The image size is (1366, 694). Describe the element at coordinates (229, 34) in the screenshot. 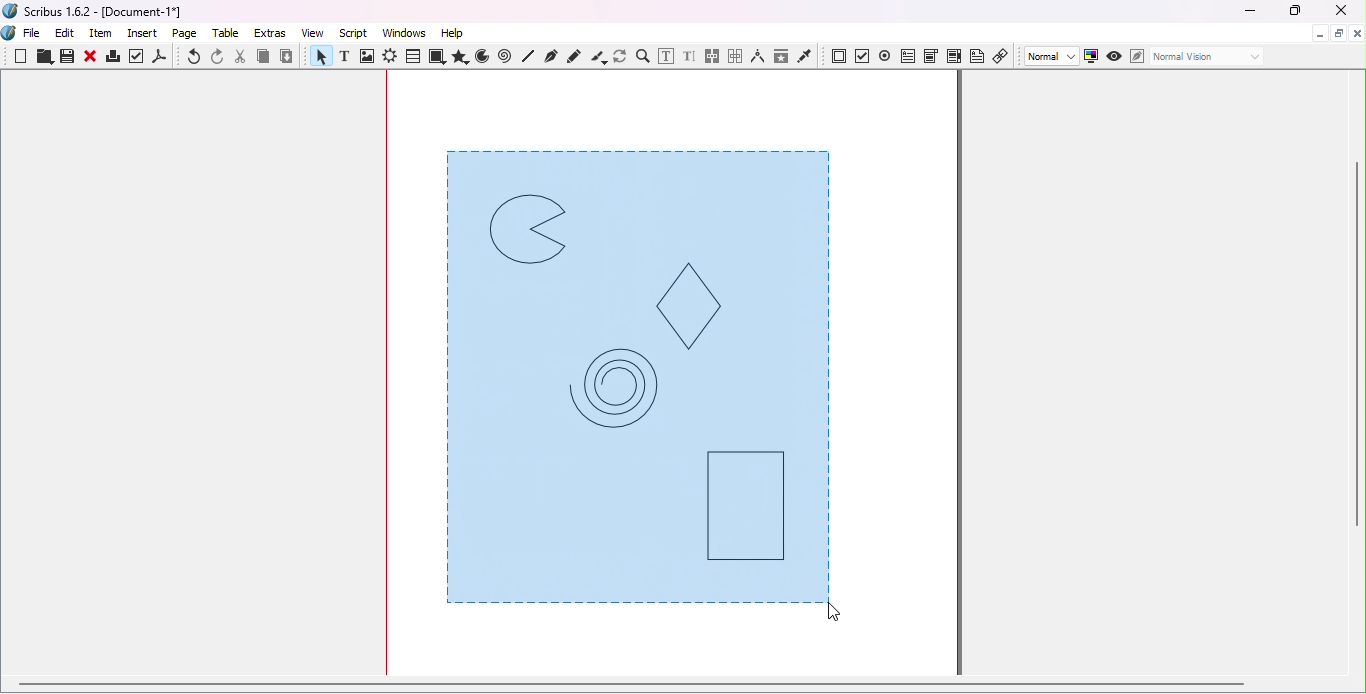

I see `Table` at that location.